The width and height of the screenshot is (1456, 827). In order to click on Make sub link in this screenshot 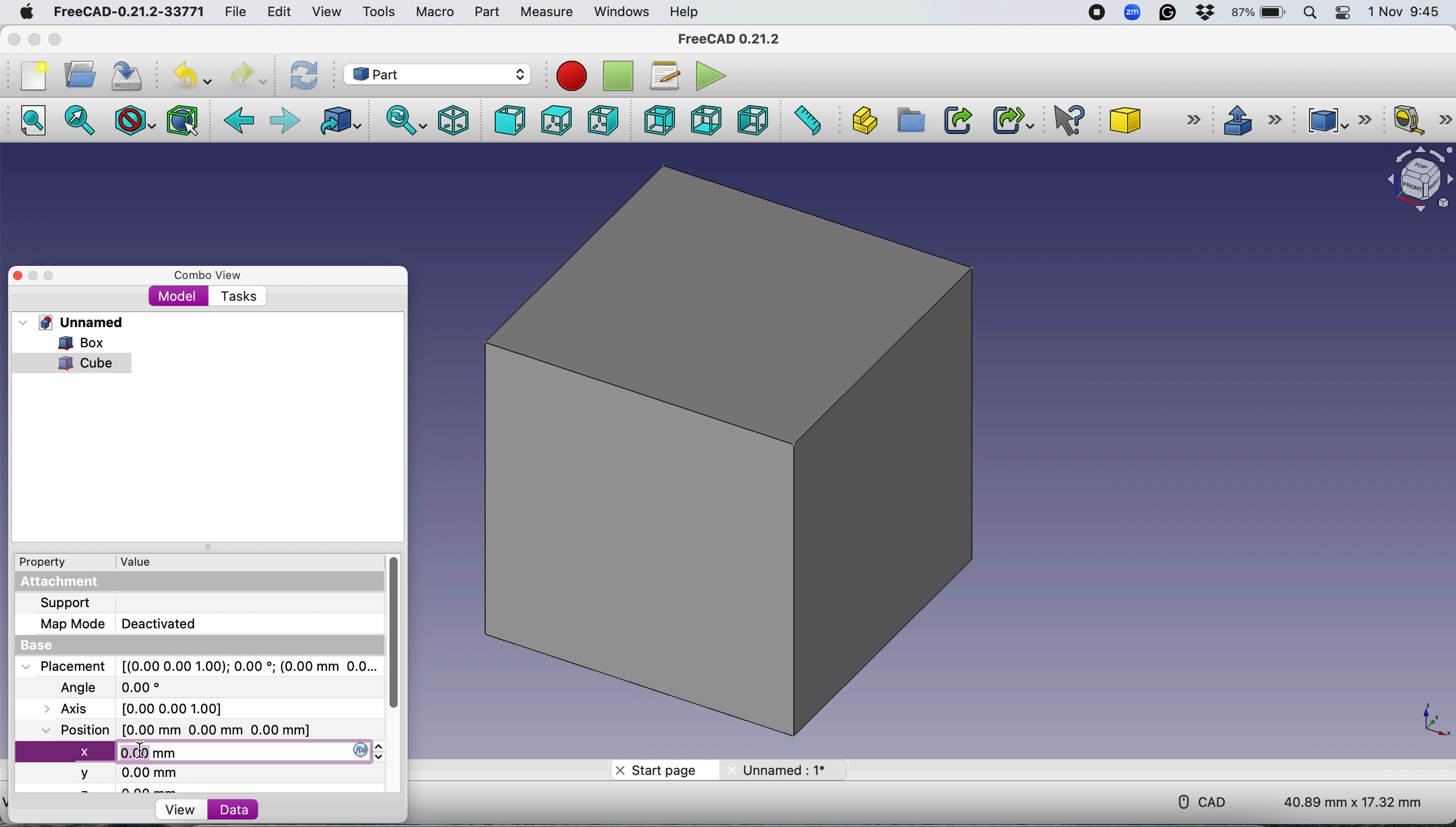, I will do `click(1008, 118)`.